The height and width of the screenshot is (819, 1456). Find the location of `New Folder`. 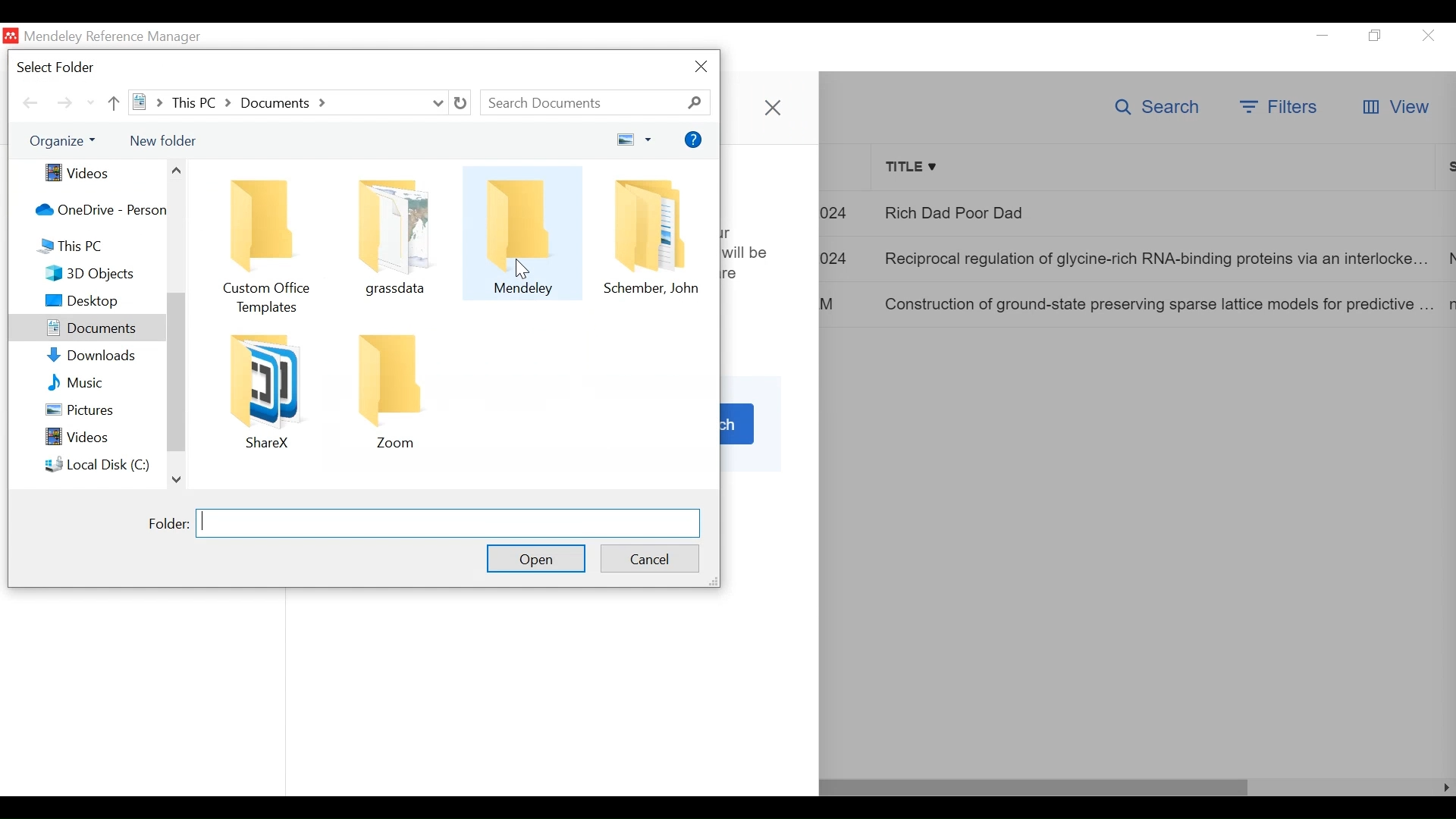

New Folder is located at coordinates (163, 140).